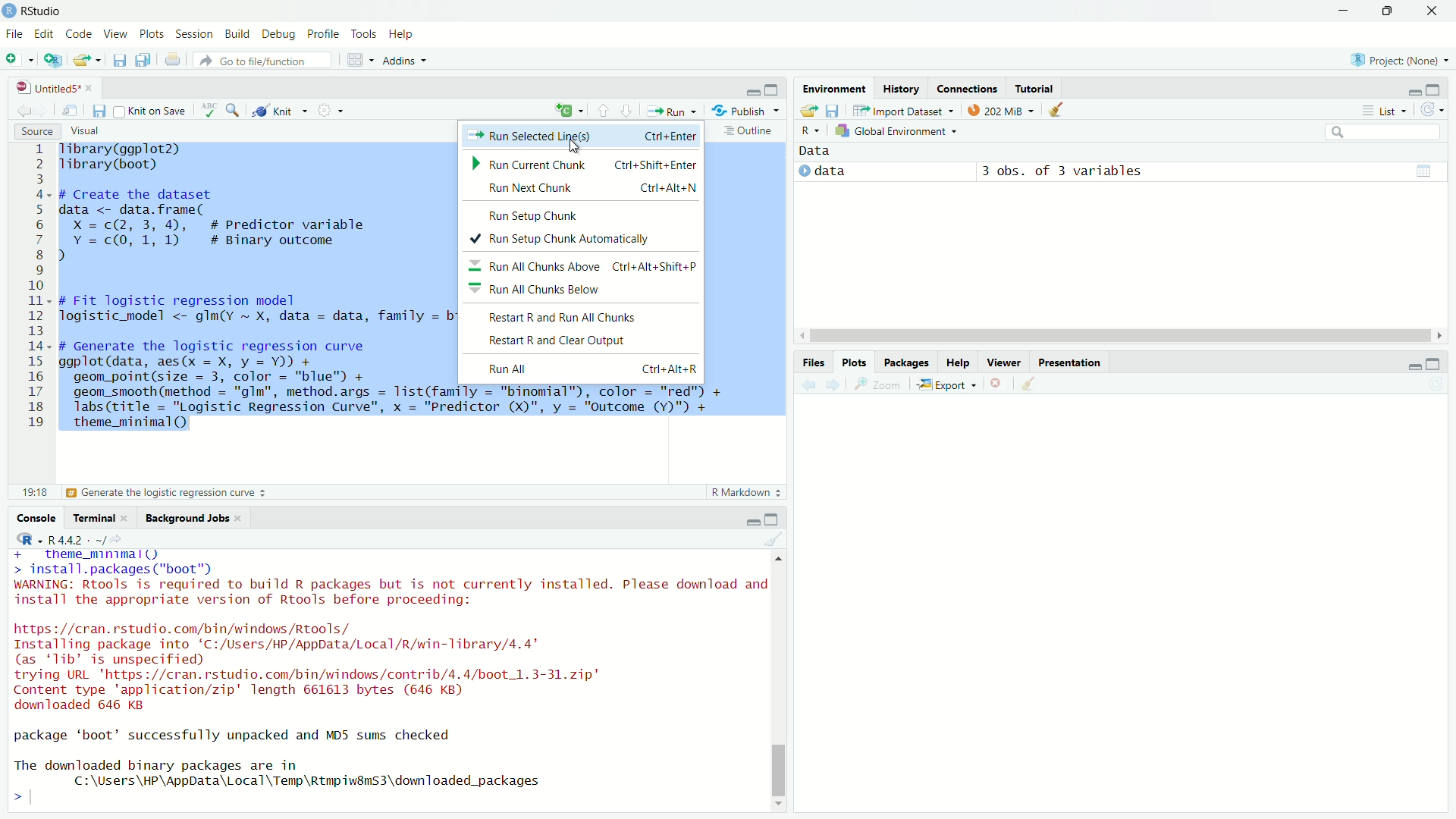 Image resolution: width=1456 pixels, height=819 pixels. I want to click on Run Current Chunk Ctrl+Shift+Enter, so click(585, 162).